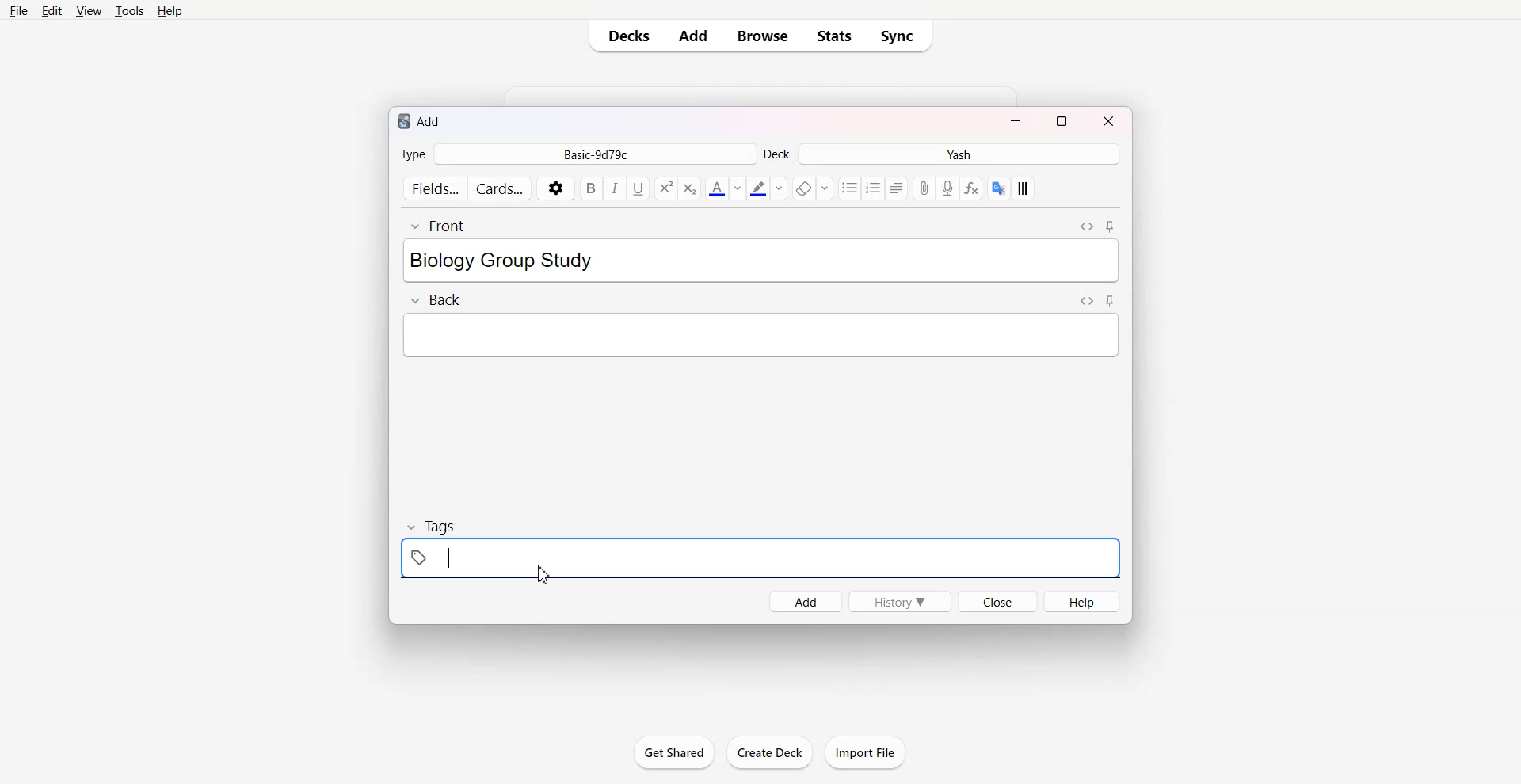 This screenshot has height=784, width=1521. I want to click on View, so click(89, 12).